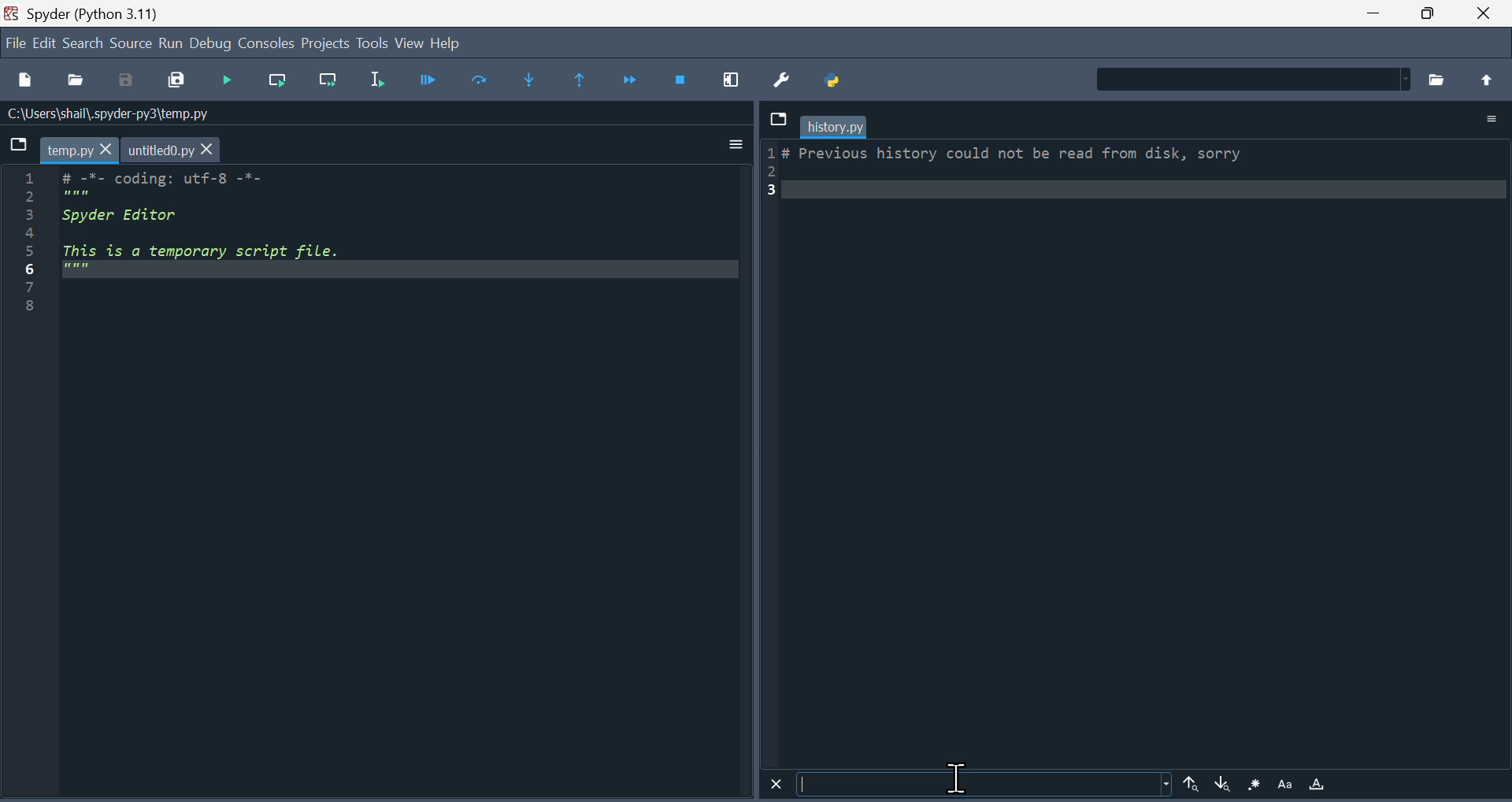 This screenshot has width=1512, height=802. I want to click on source, so click(131, 43).